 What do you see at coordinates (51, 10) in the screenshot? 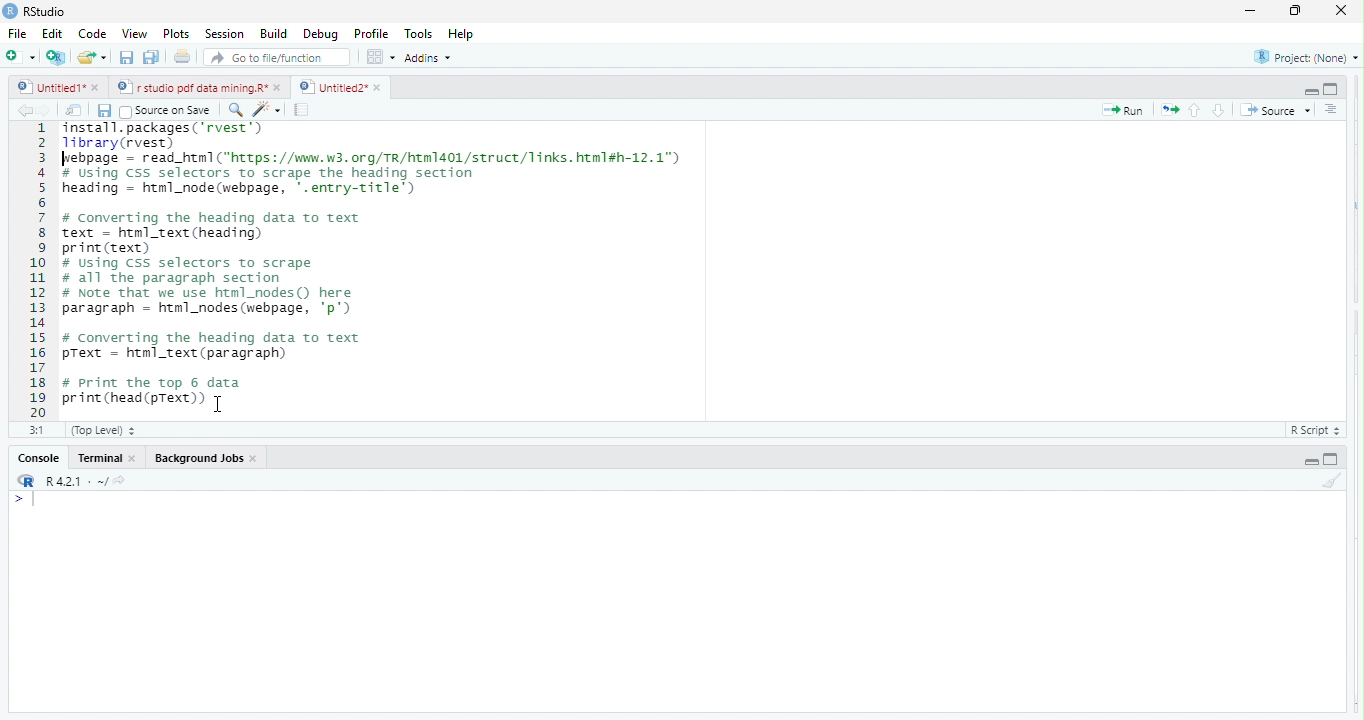
I see `RStudio` at bounding box center [51, 10].